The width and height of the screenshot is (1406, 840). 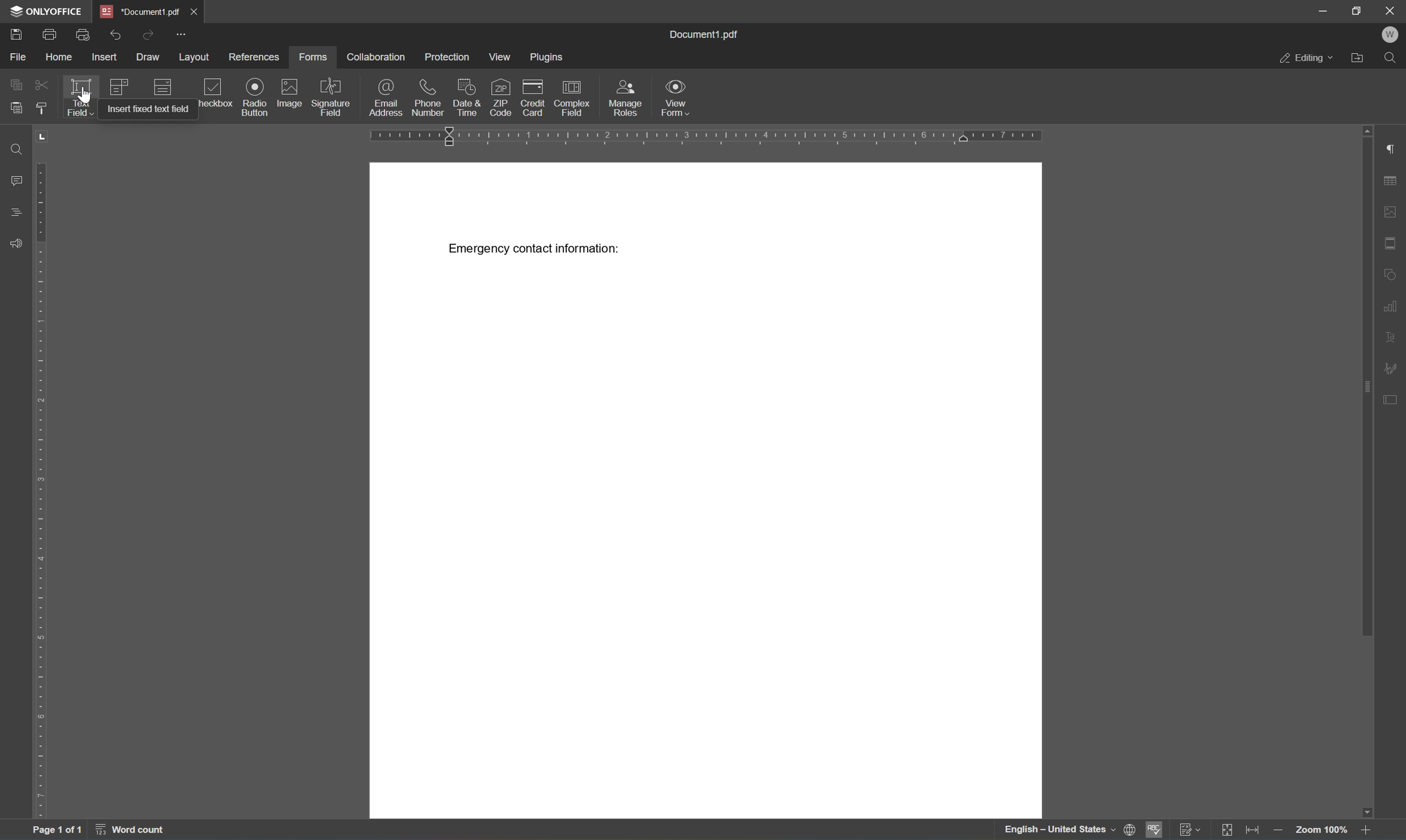 What do you see at coordinates (1326, 831) in the screenshot?
I see `zoom 100%` at bounding box center [1326, 831].